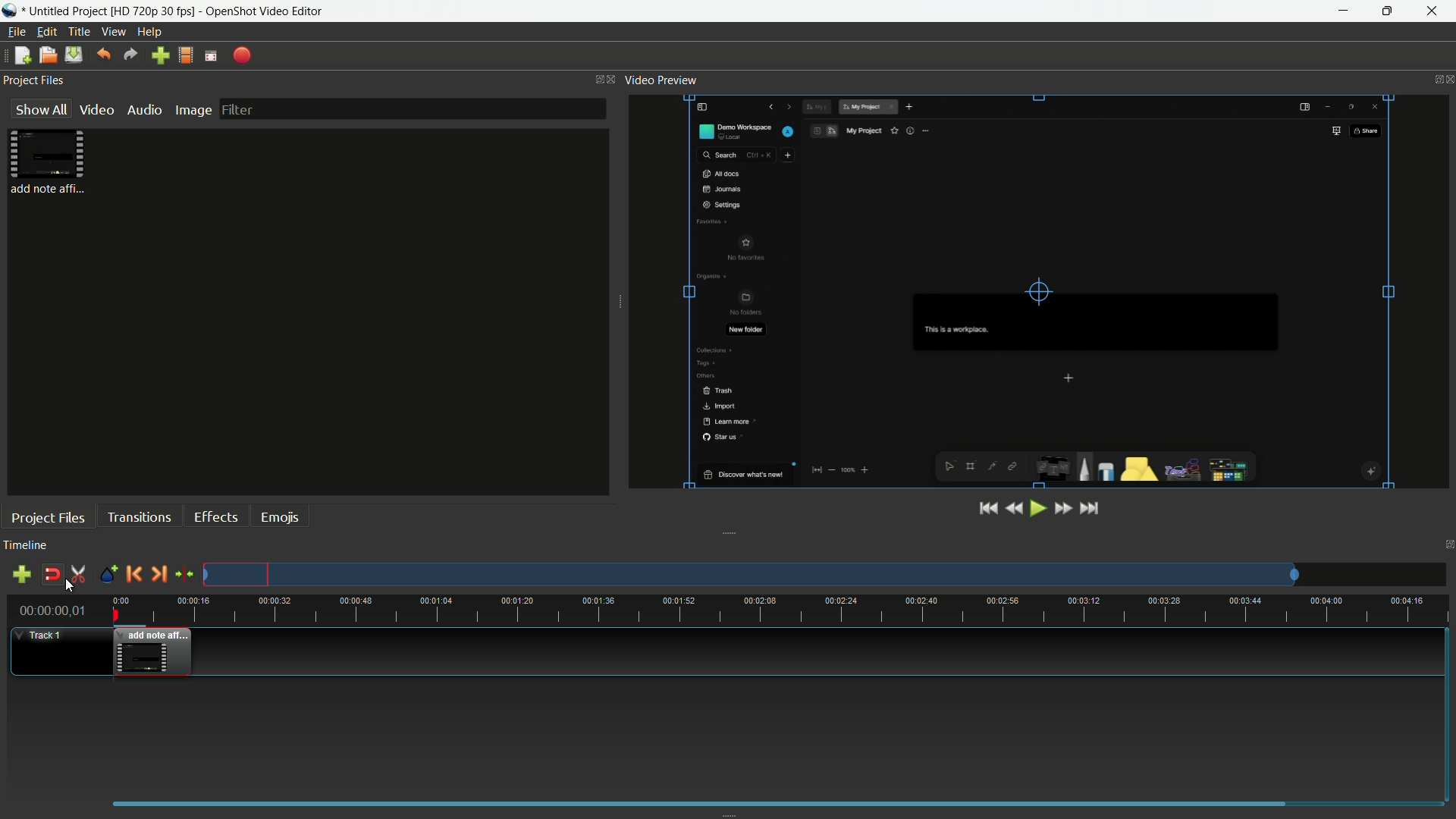 The width and height of the screenshot is (1456, 819). I want to click on transitions, so click(142, 516).